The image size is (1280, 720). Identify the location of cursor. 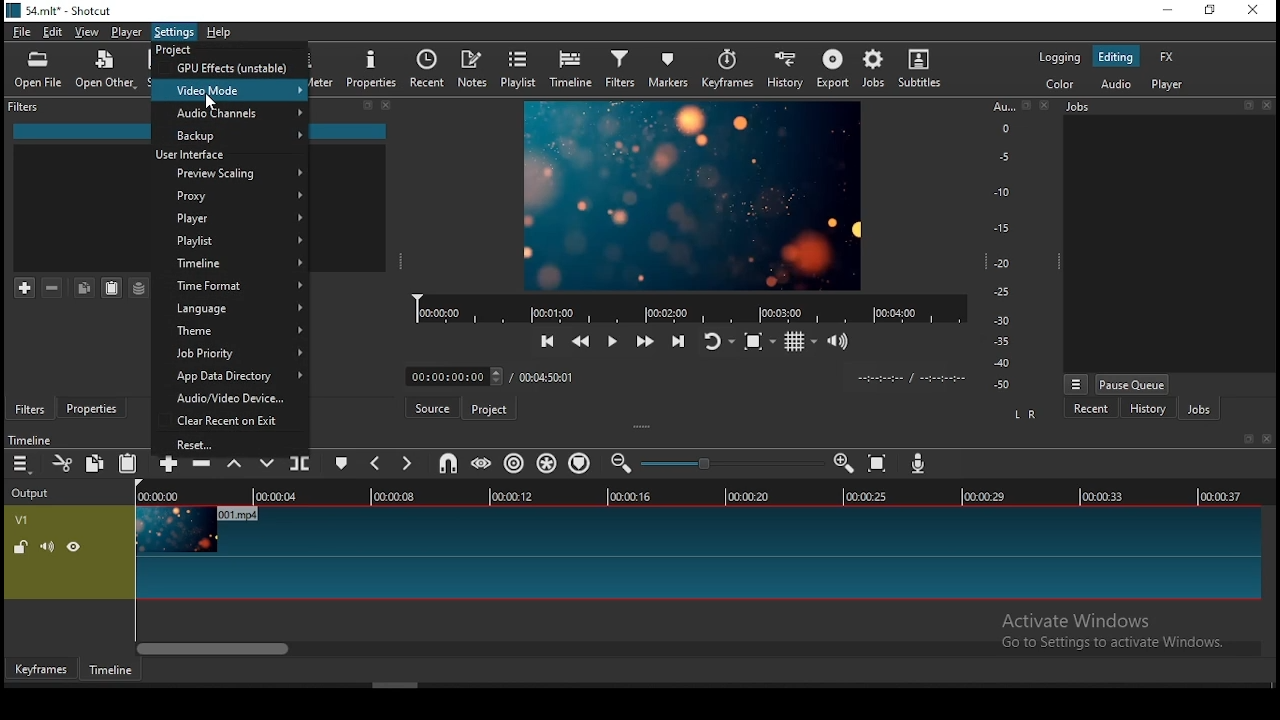
(214, 103).